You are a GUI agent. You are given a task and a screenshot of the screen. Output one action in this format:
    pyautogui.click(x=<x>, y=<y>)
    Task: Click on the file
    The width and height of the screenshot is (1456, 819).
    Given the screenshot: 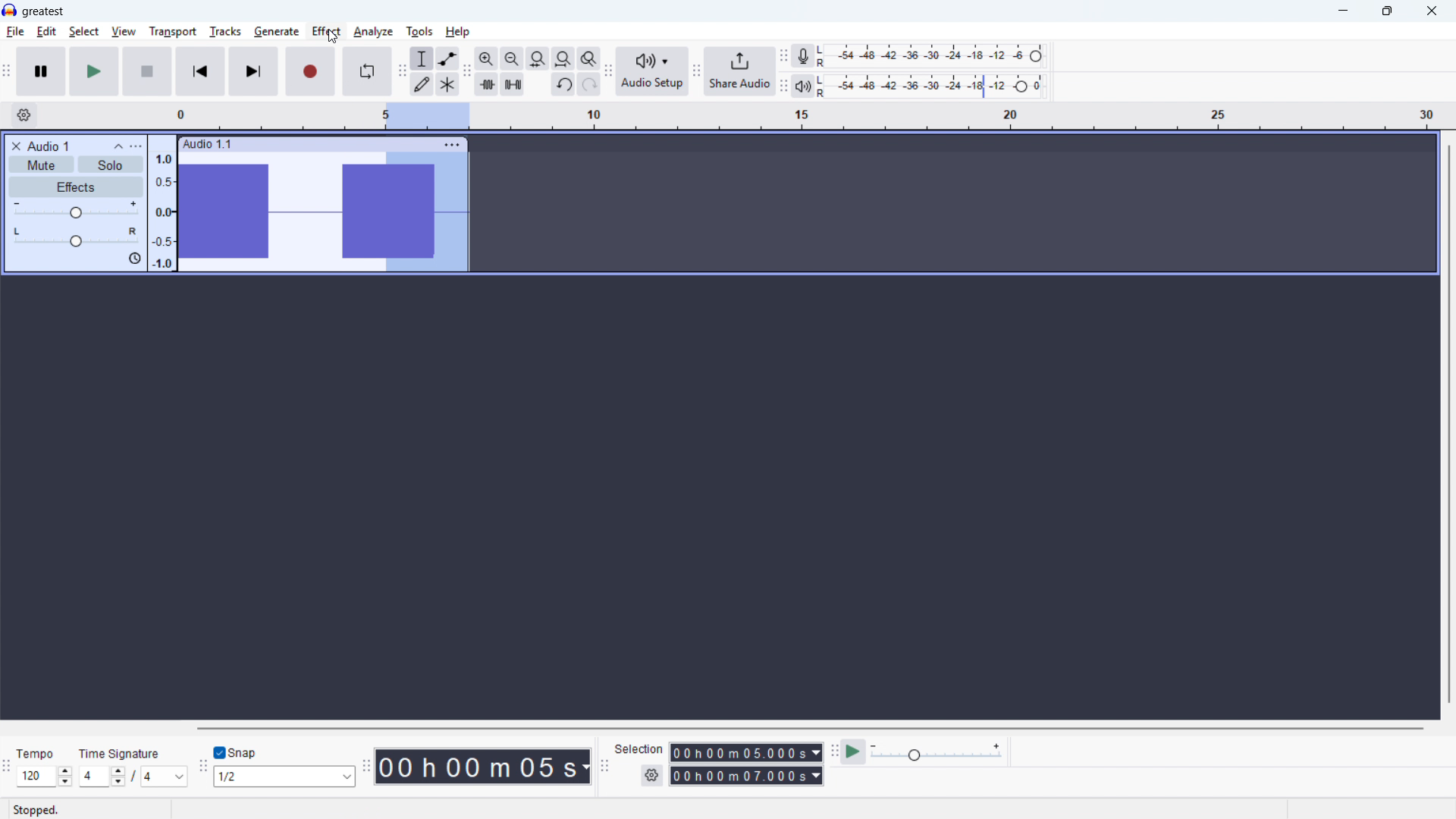 What is the action you would take?
    pyautogui.click(x=15, y=33)
    